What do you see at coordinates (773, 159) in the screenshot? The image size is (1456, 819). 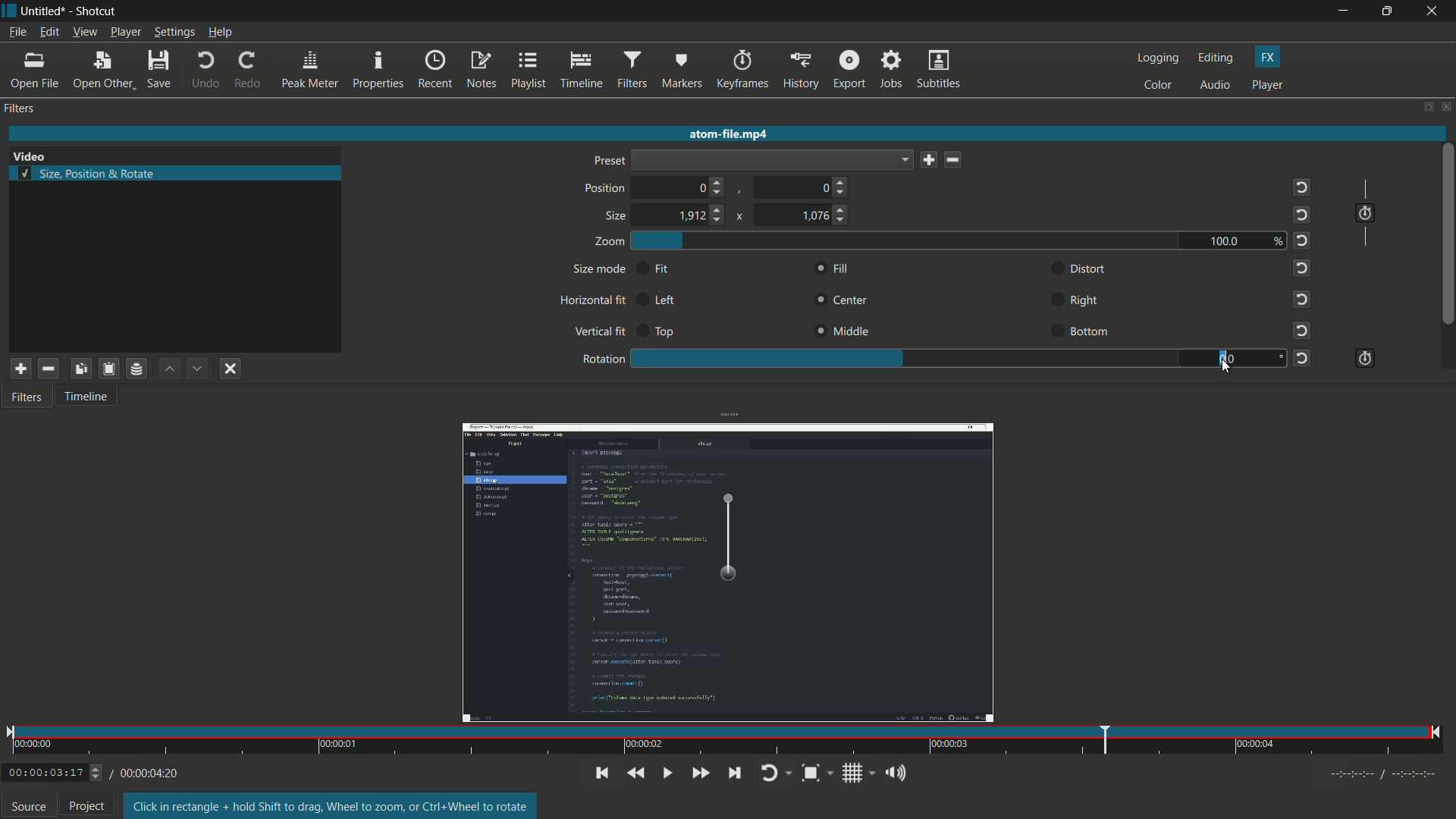 I see `dropdown` at bounding box center [773, 159].